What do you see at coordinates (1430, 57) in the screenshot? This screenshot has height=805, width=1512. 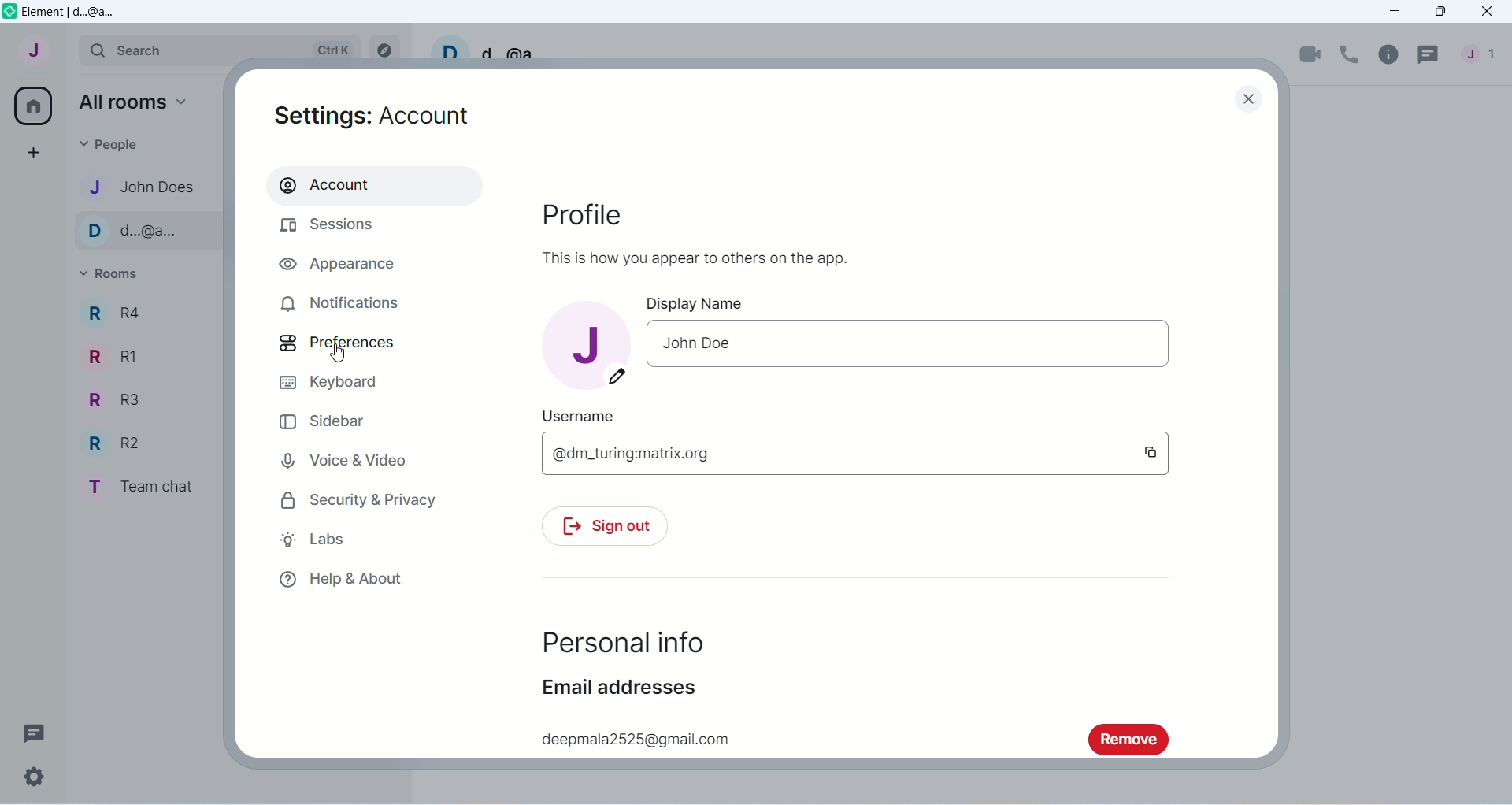 I see `Threads` at bounding box center [1430, 57].